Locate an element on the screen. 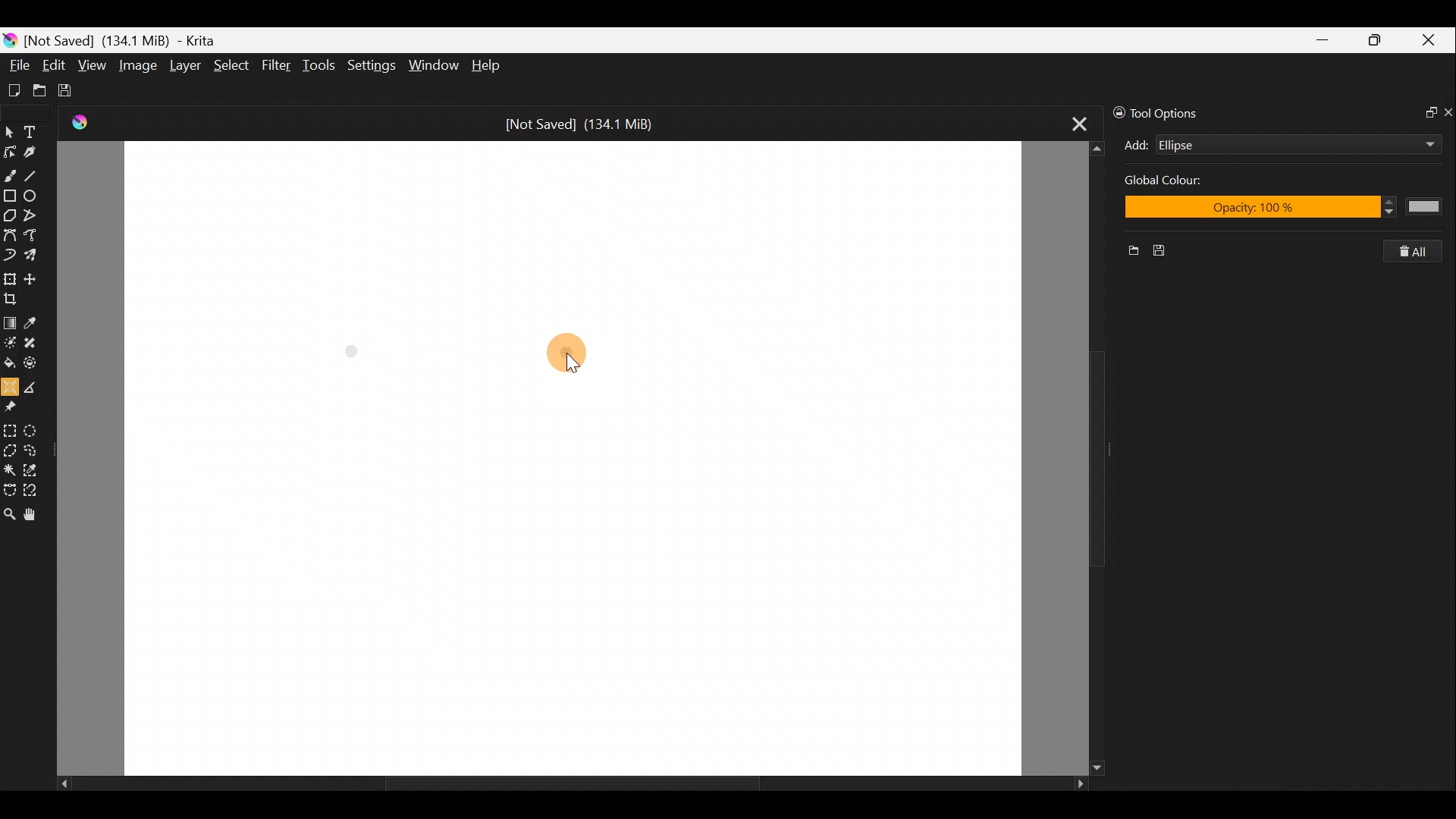  Text tool is located at coordinates (33, 129).